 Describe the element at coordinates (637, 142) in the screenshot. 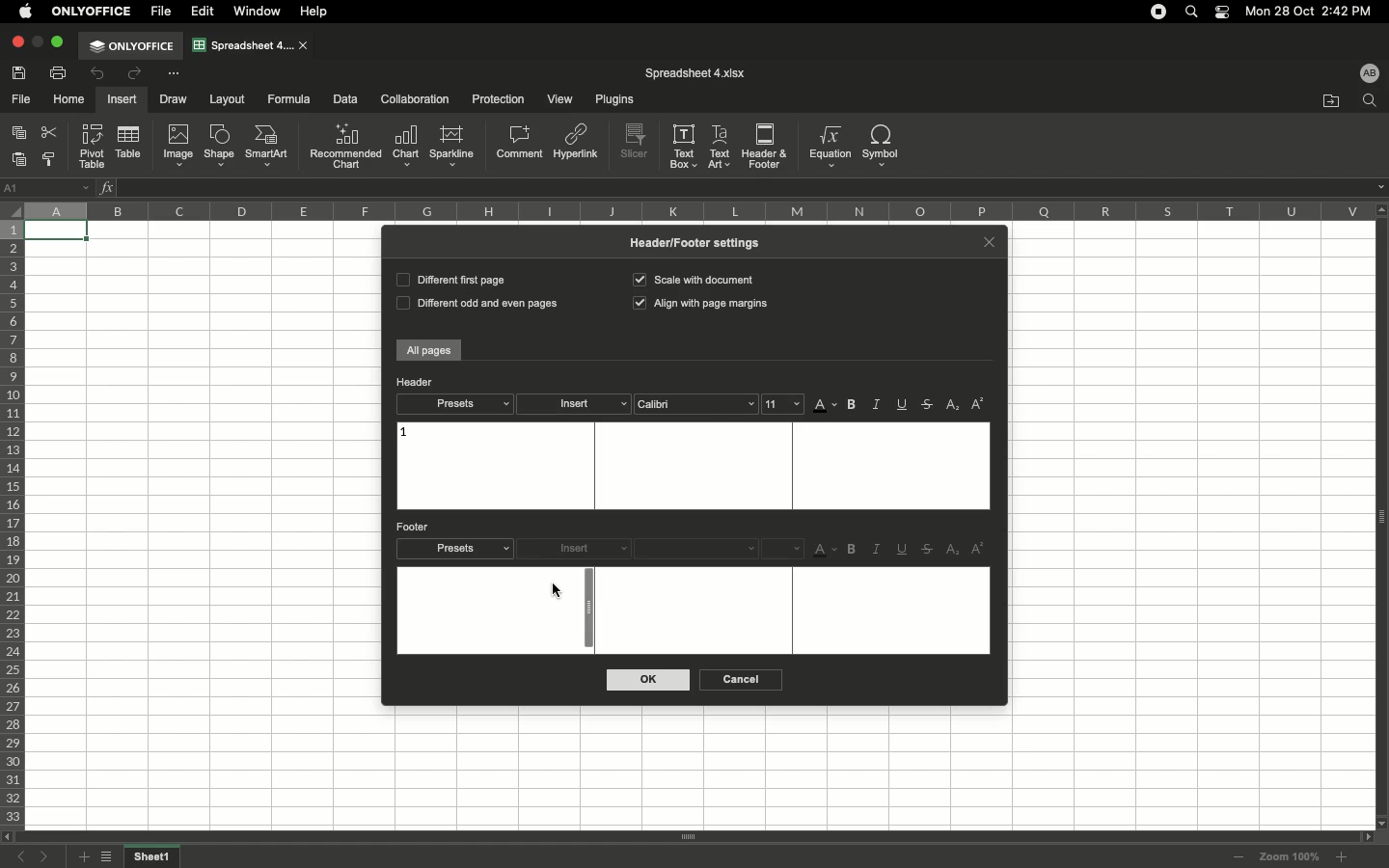

I see `Slicer` at that location.